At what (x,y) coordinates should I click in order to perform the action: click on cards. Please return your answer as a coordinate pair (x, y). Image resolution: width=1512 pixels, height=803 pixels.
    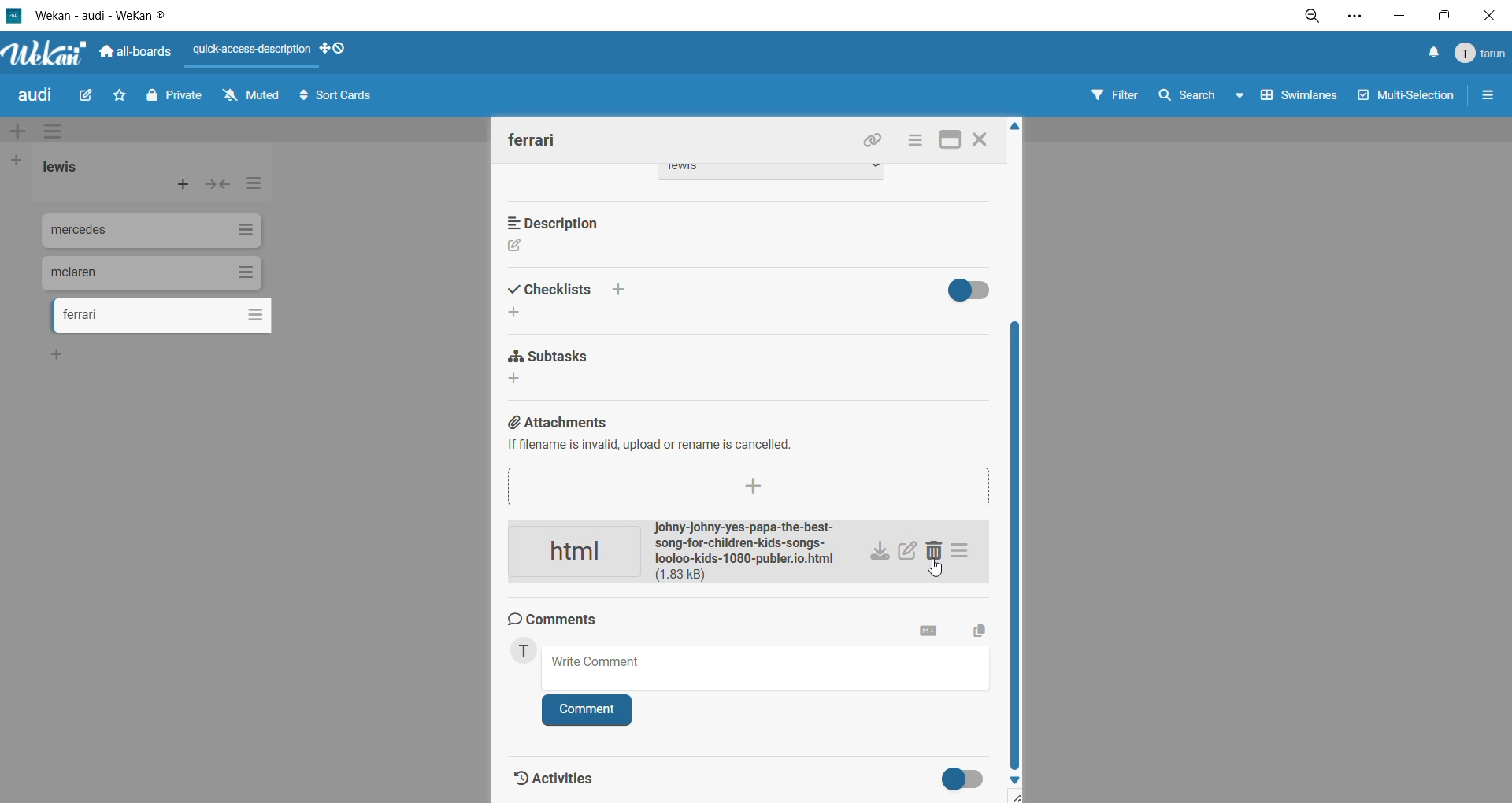
    Looking at the image, I should click on (154, 233).